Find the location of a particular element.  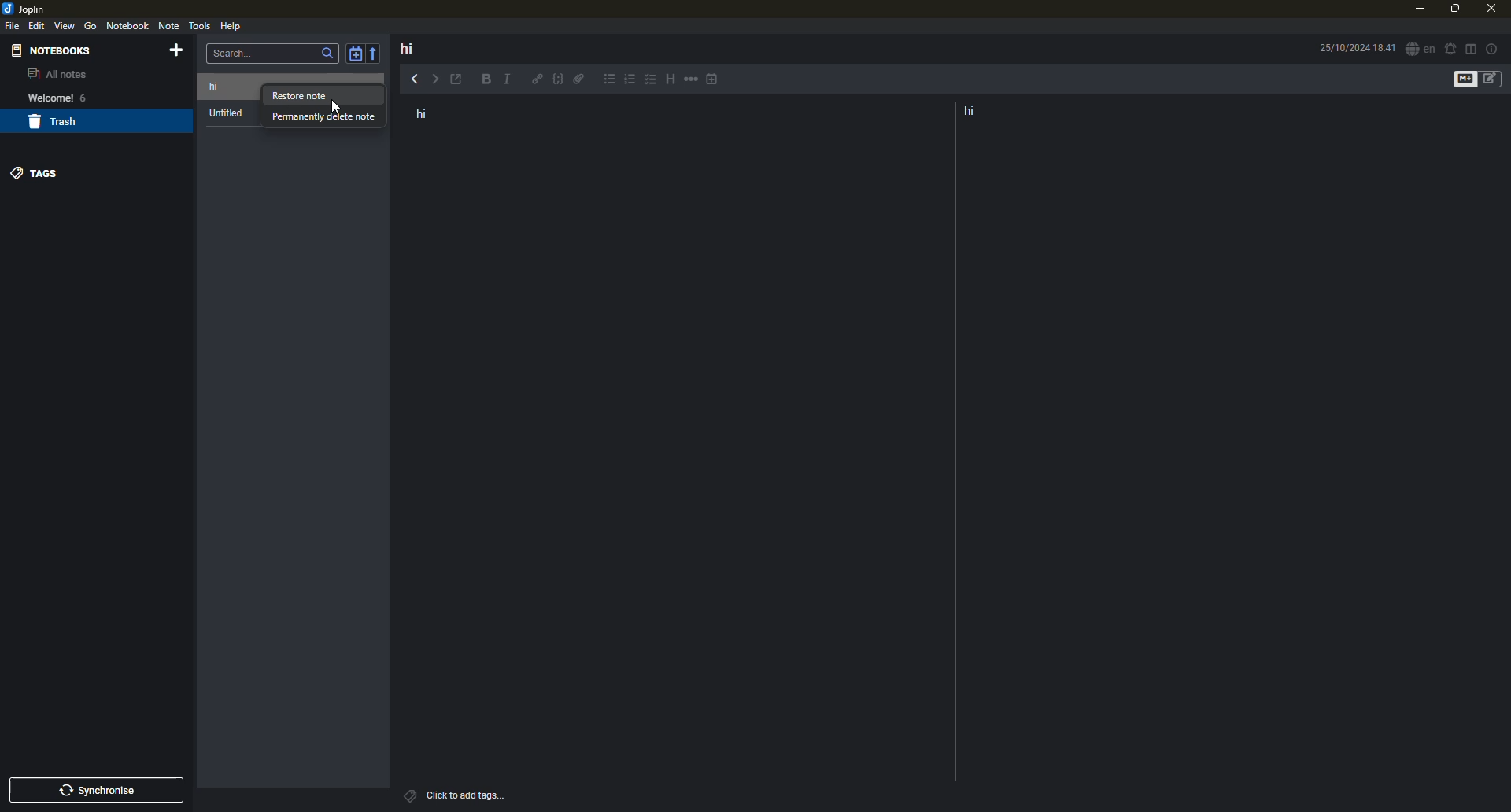

trash is located at coordinates (57, 123).